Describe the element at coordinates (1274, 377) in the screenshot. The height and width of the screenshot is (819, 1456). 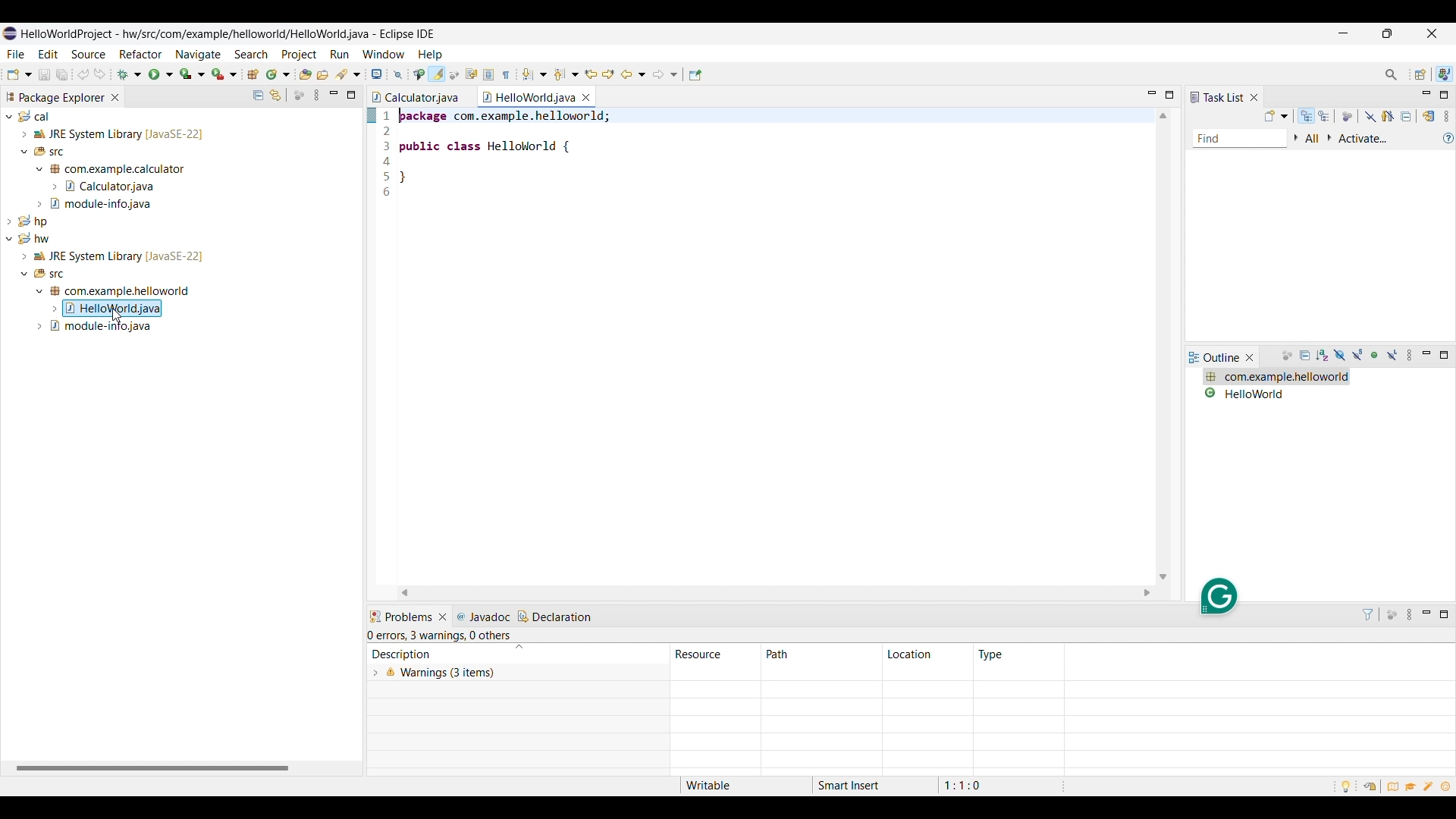
I see `com.example.calculator` at that location.